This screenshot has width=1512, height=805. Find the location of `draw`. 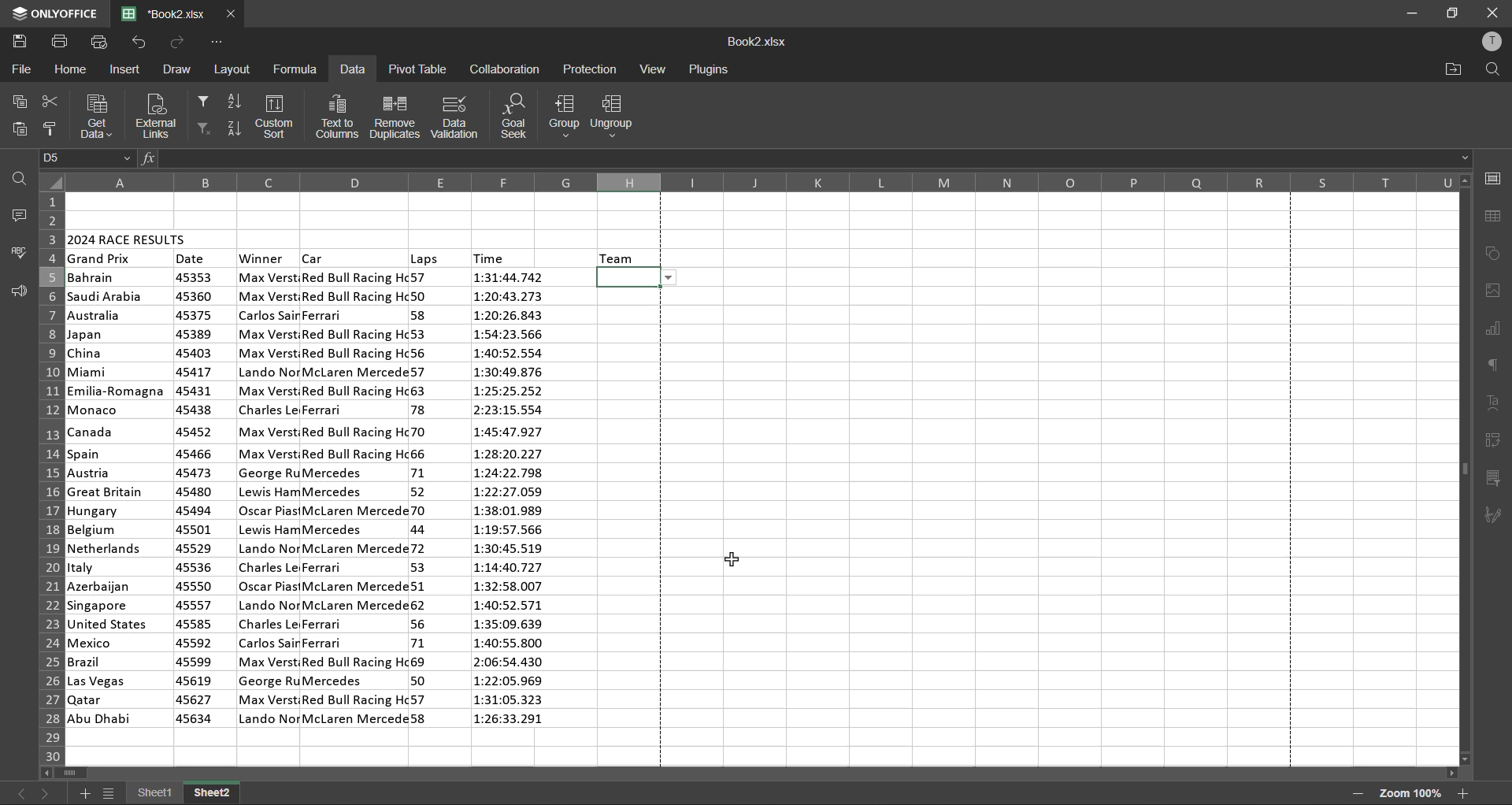

draw is located at coordinates (178, 67).